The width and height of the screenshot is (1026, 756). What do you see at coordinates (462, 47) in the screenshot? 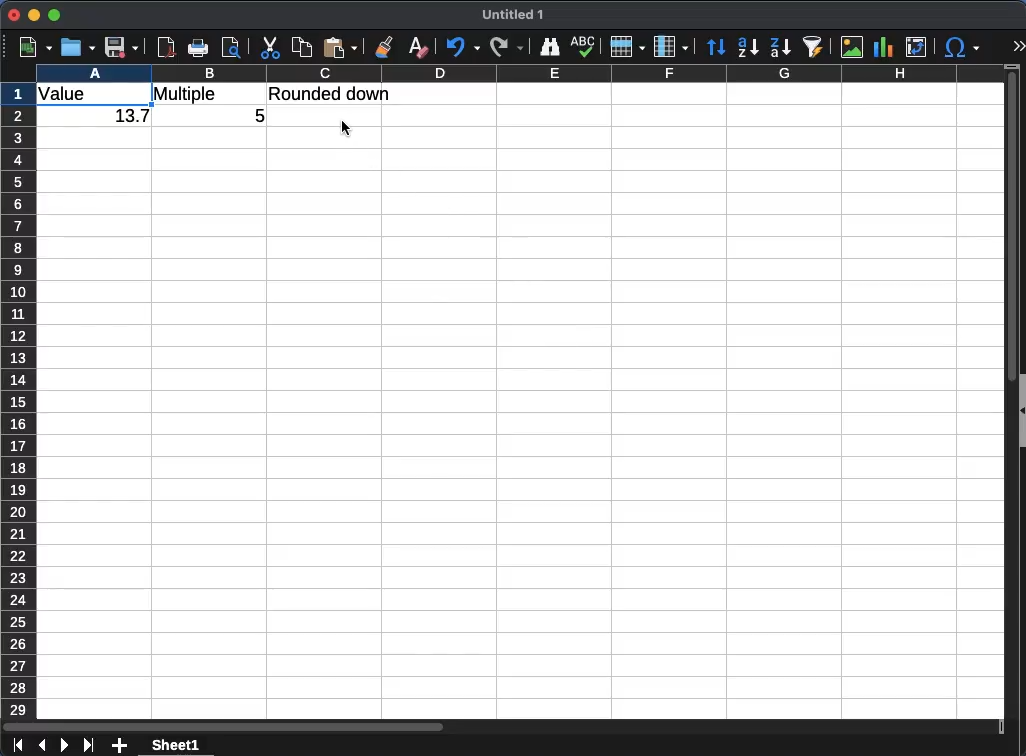
I see `undo` at bounding box center [462, 47].